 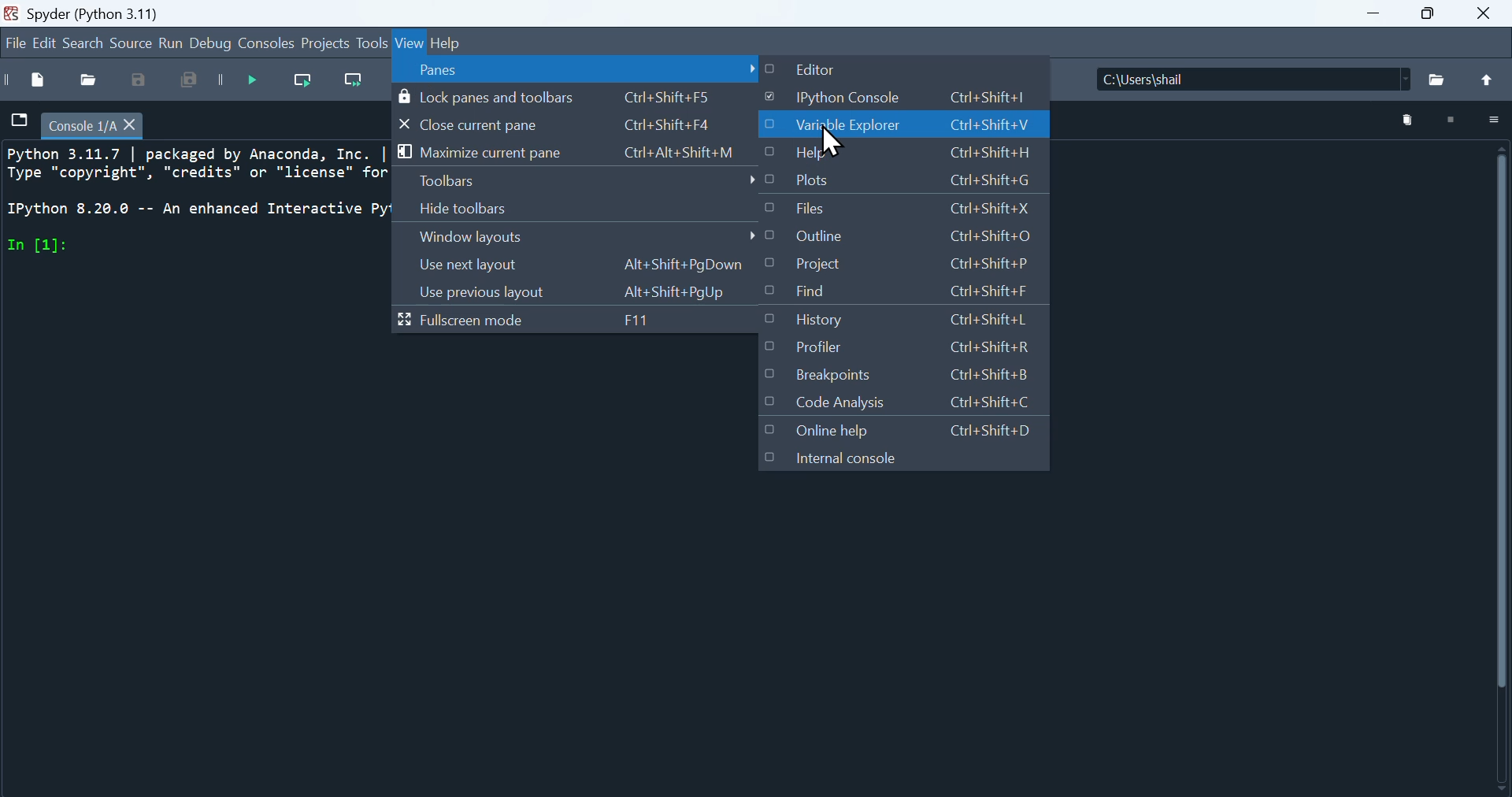 What do you see at coordinates (214, 43) in the screenshot?
I see `Debug` at bounding box center [214, 43].